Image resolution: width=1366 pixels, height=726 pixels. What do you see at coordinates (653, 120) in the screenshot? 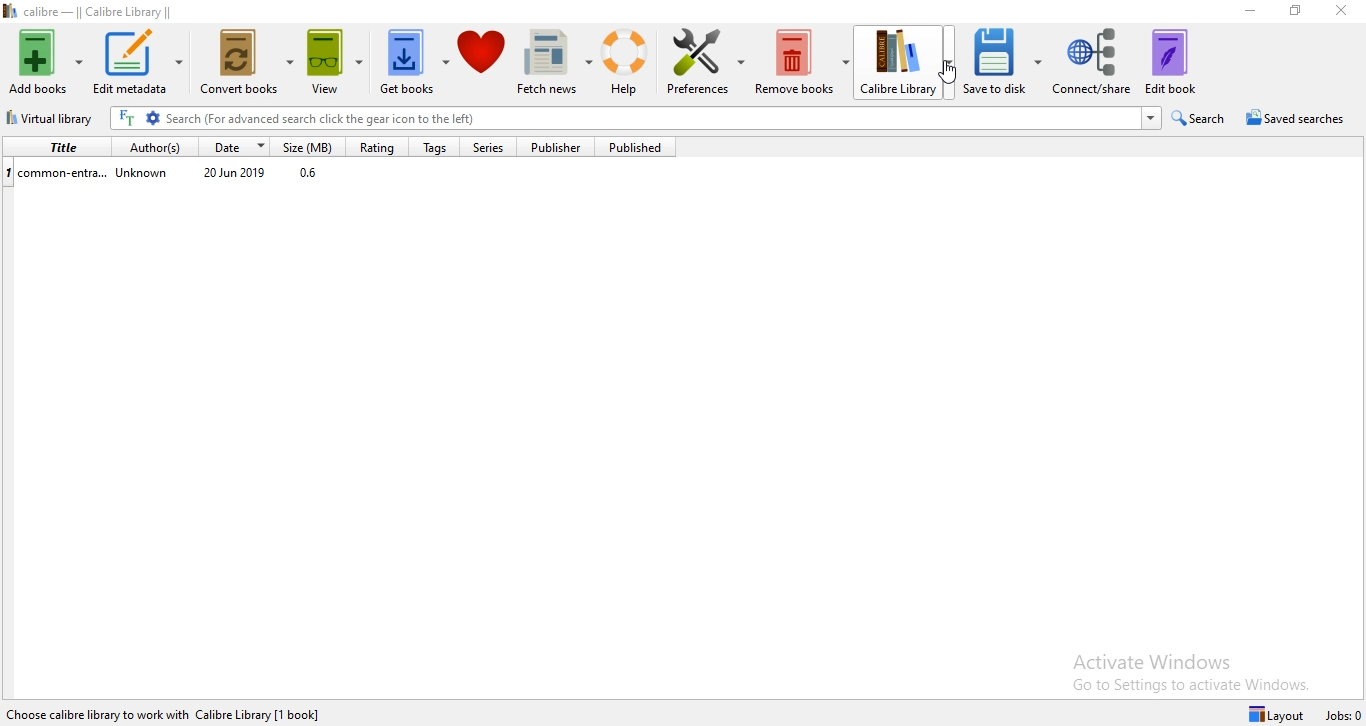
I see `Serach bar` at bounding box center [653, 120].